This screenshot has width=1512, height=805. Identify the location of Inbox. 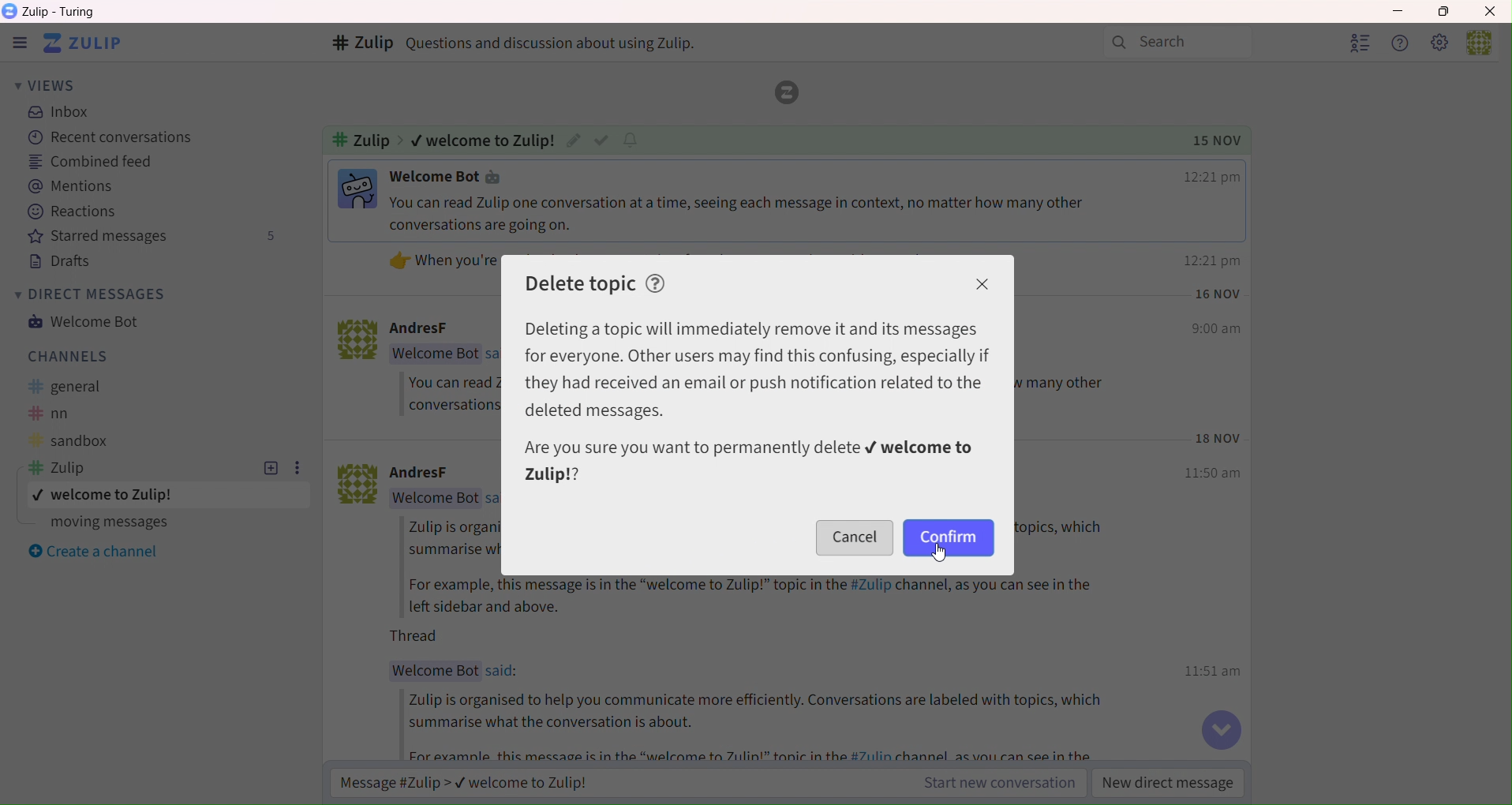
(58, 113).